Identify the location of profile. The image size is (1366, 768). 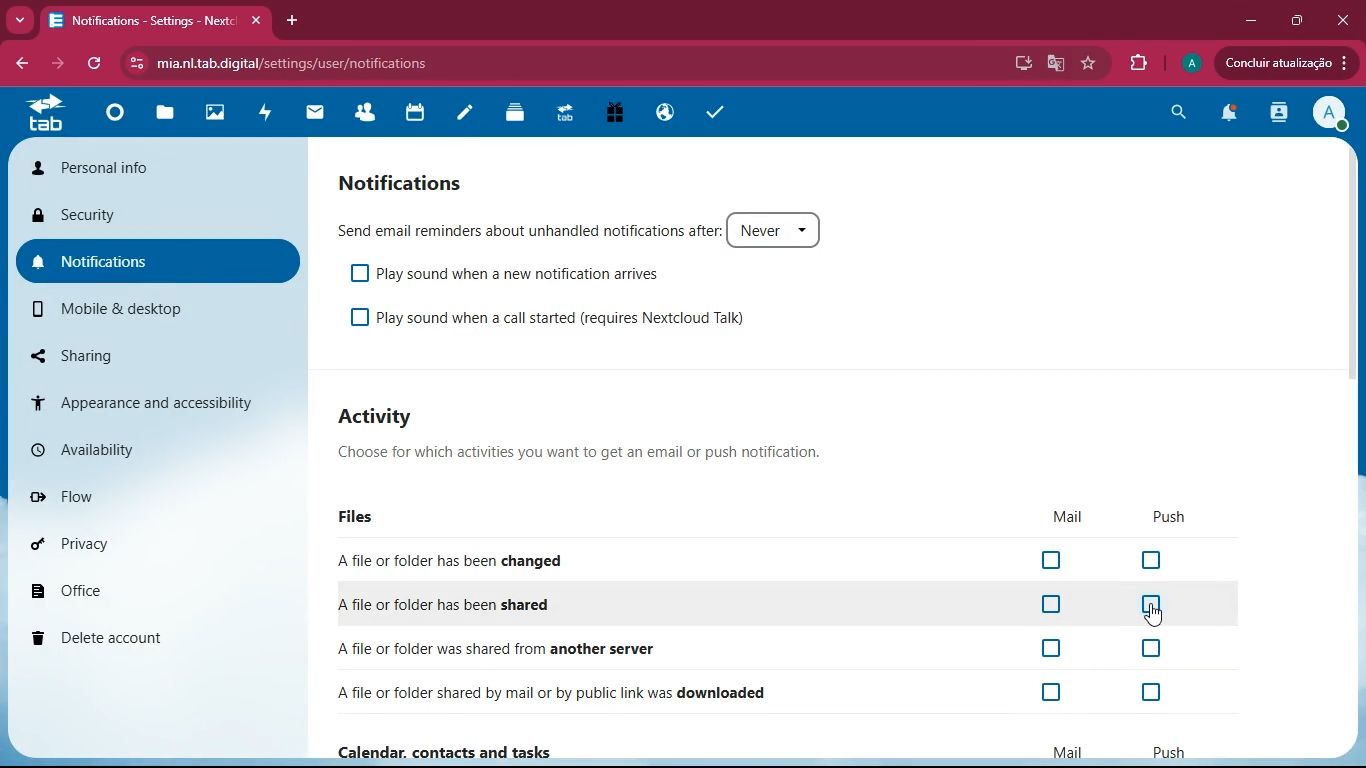
(160, 164).